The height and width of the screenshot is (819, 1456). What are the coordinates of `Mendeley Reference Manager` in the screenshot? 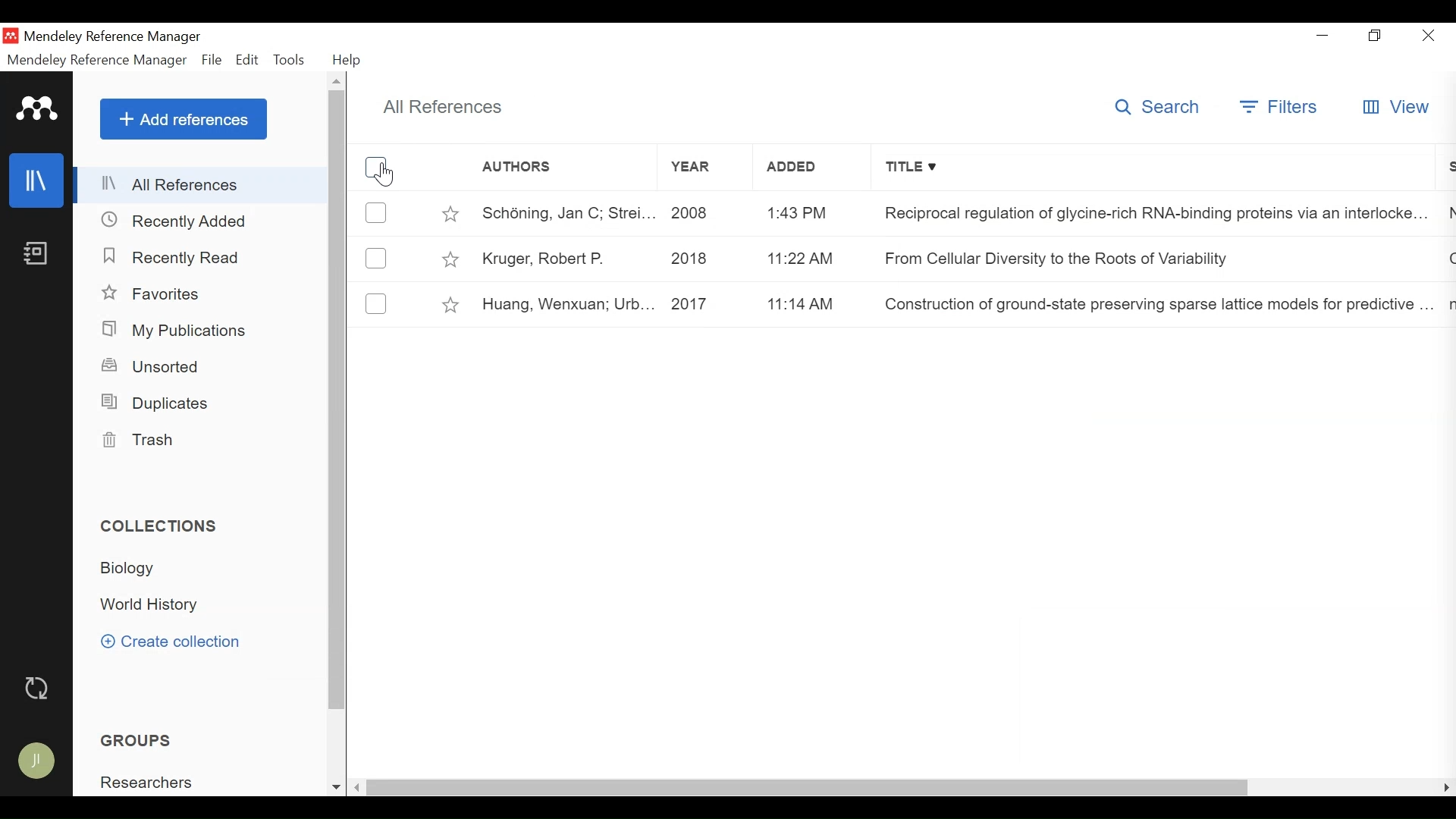 It's located at (113, 37).